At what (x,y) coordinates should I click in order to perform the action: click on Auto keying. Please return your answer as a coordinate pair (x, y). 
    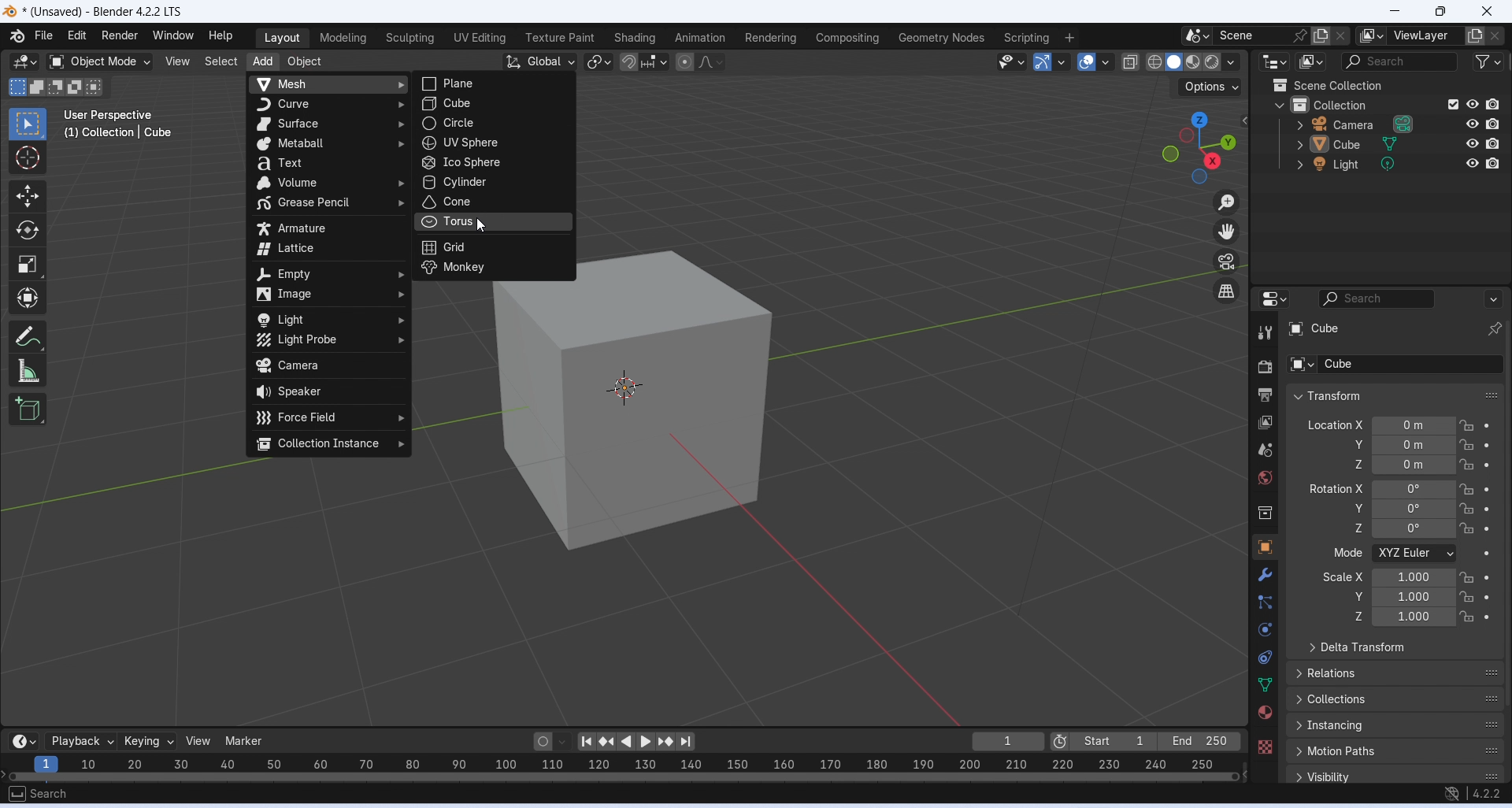
    Looking at the image, I should click on (542, 740).